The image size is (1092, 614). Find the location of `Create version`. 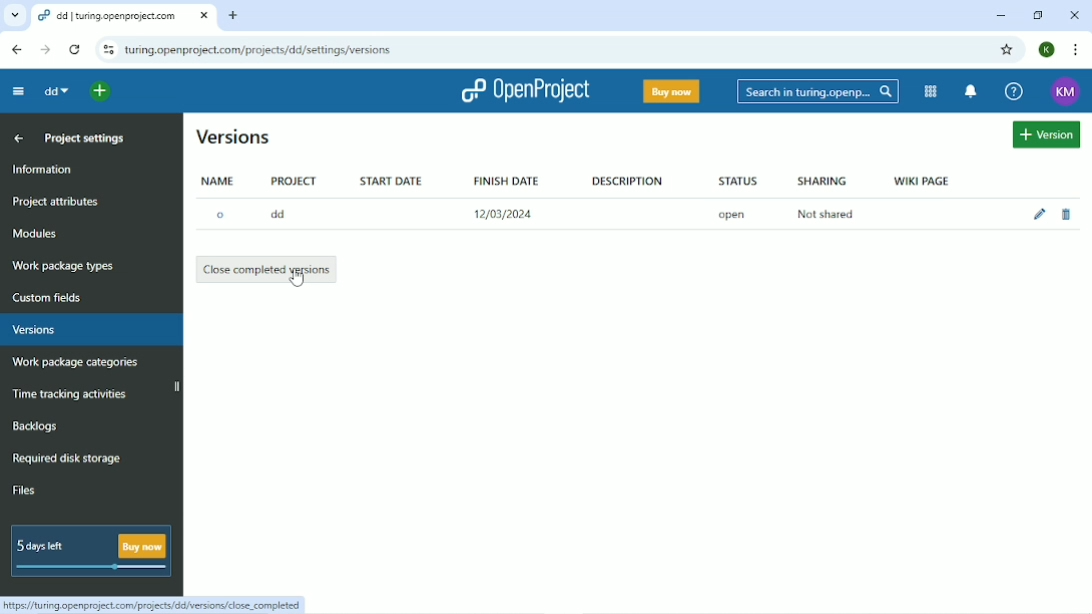

Create version is located at coordinates (1047, 135).